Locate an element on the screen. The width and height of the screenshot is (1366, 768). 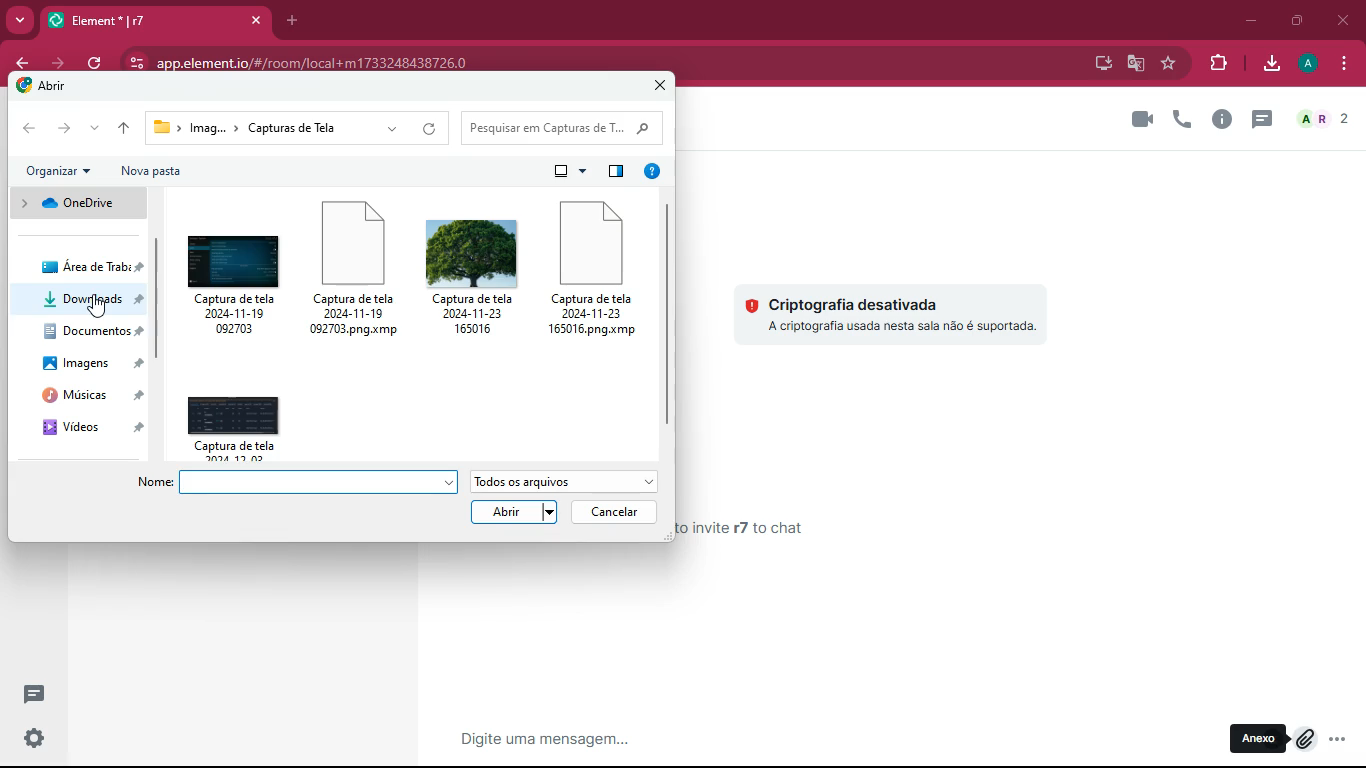
layout is located at coordinates (572, 171).